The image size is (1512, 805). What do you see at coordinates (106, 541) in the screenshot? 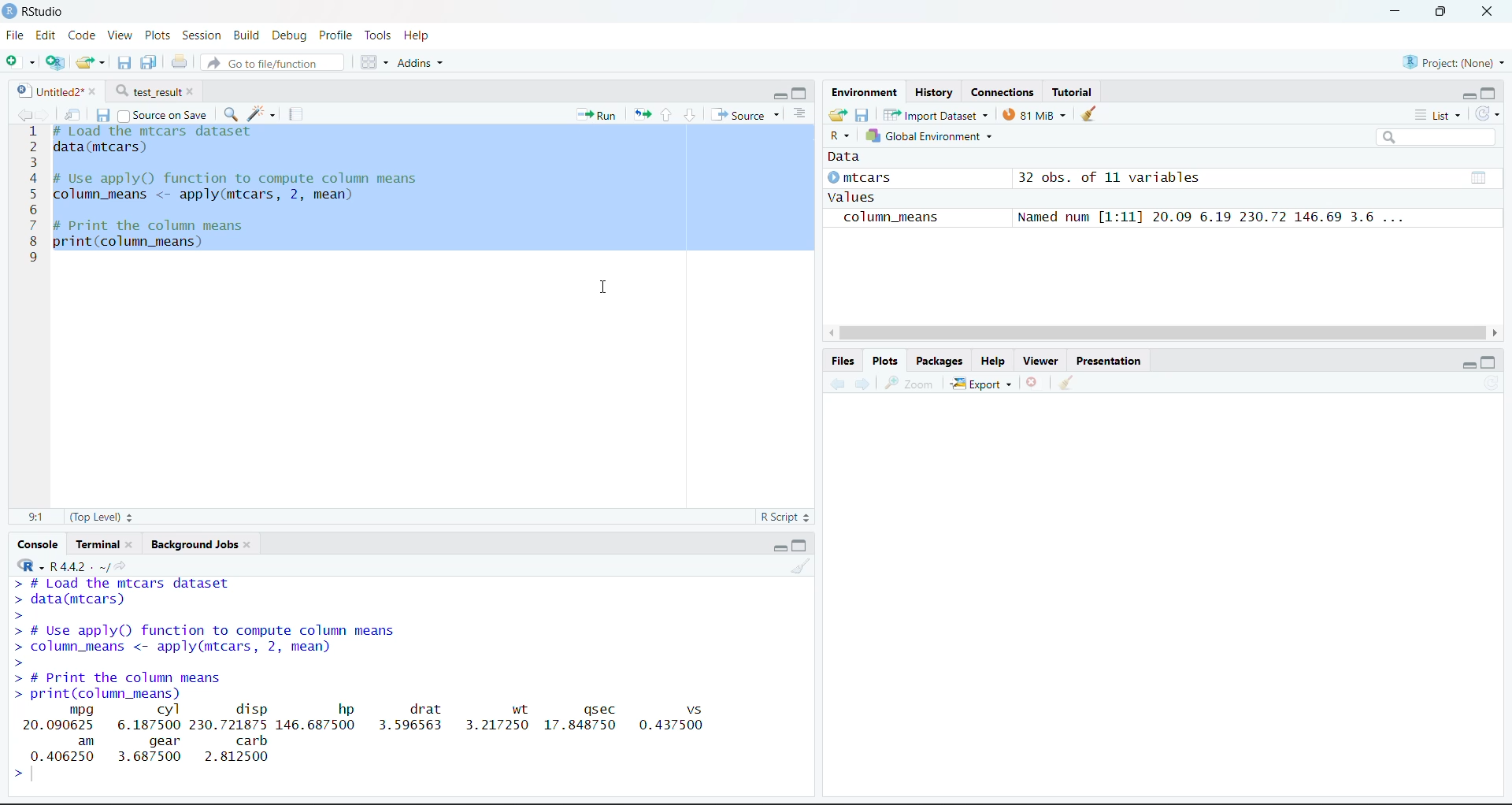
I see `Terminal` at bounding box center [106, 541].